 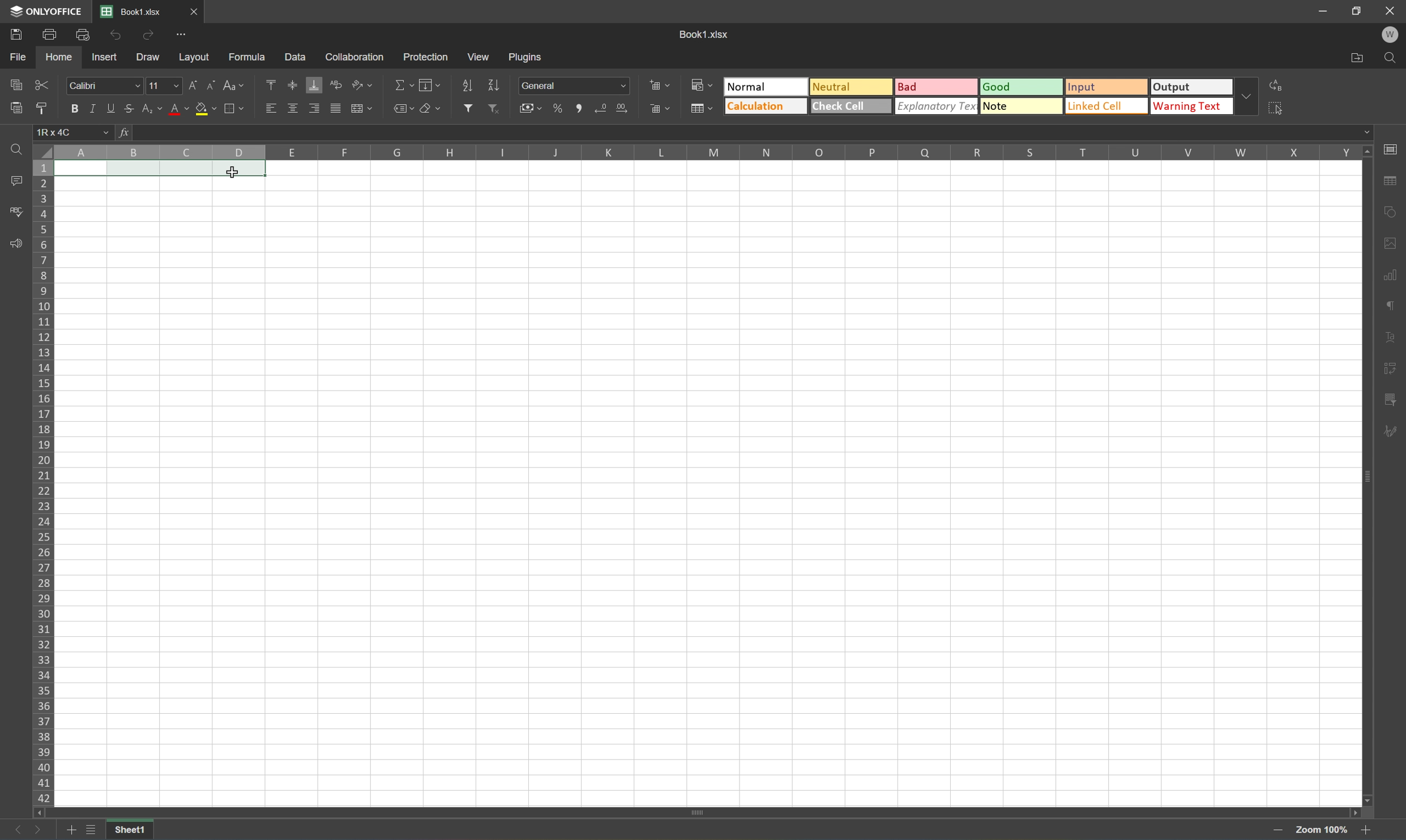 I want to click on Filter, so click(x=467, y=108).